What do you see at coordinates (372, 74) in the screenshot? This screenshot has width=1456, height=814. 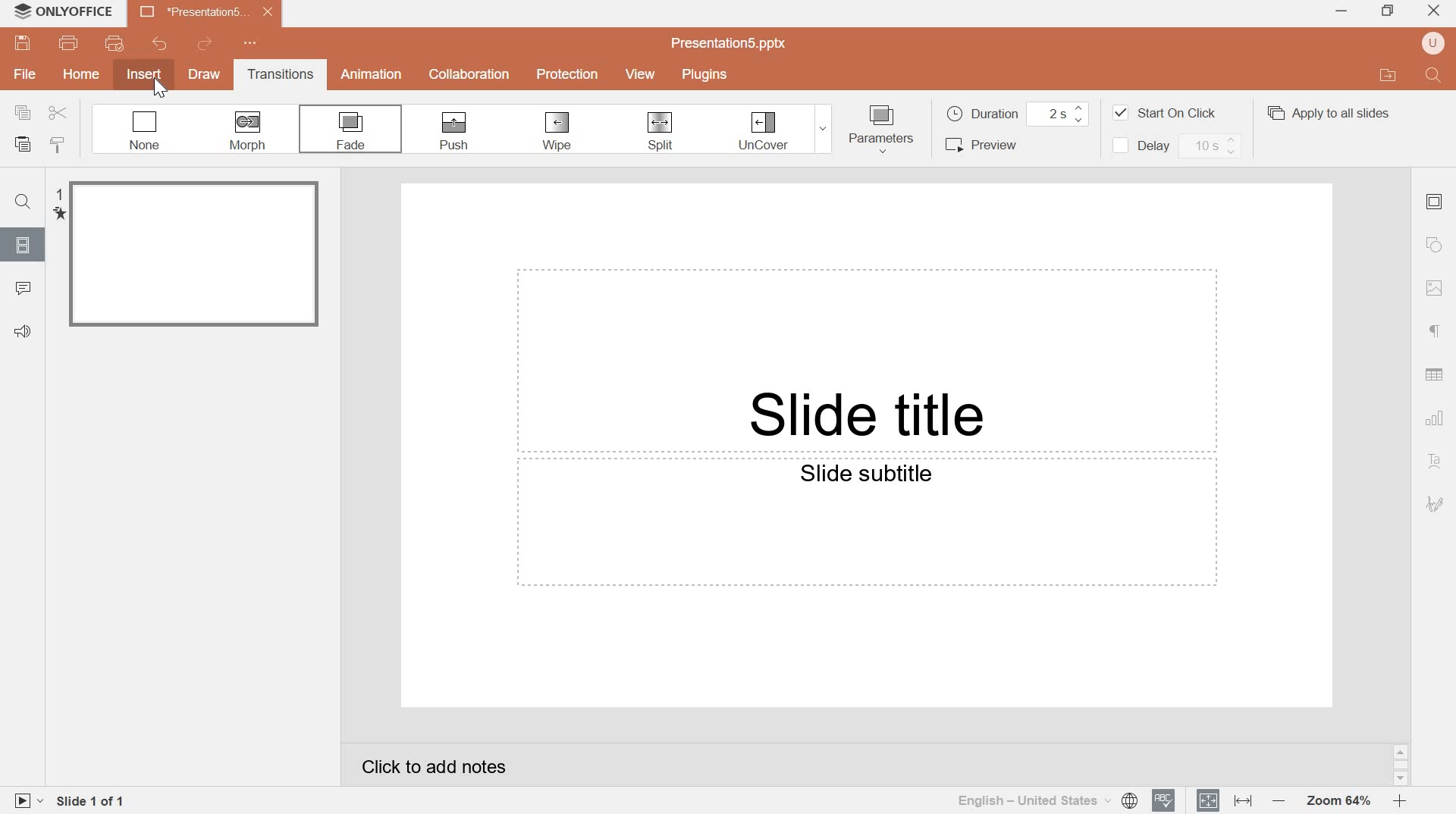 I see `Animation` at bounding box center [372, 74].